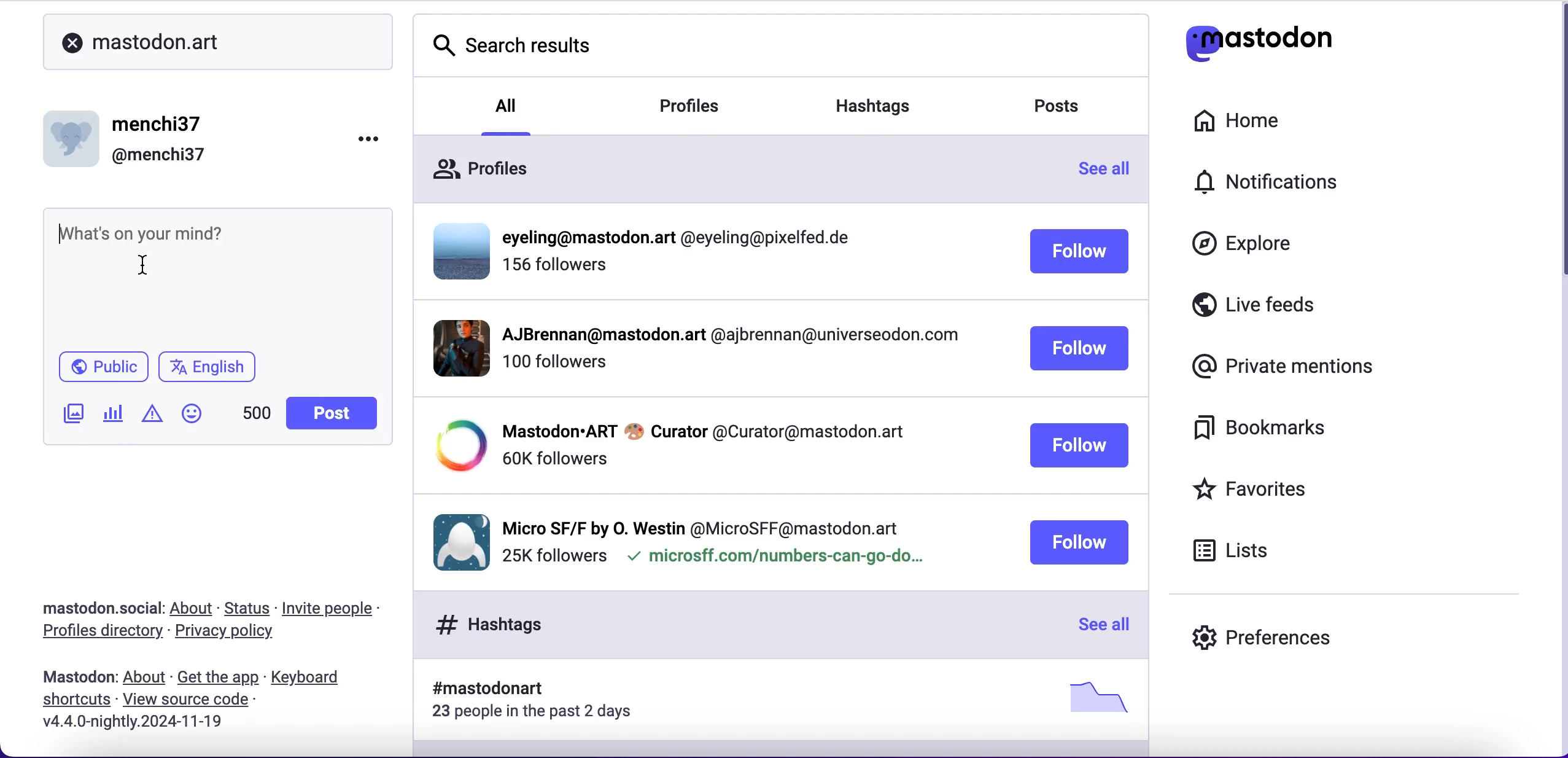 Image resolution: width=1568 pixels, height=758 pixels. Describe the element at coordinates (1241, 554) in the screenshot. I see `lists` at that location.